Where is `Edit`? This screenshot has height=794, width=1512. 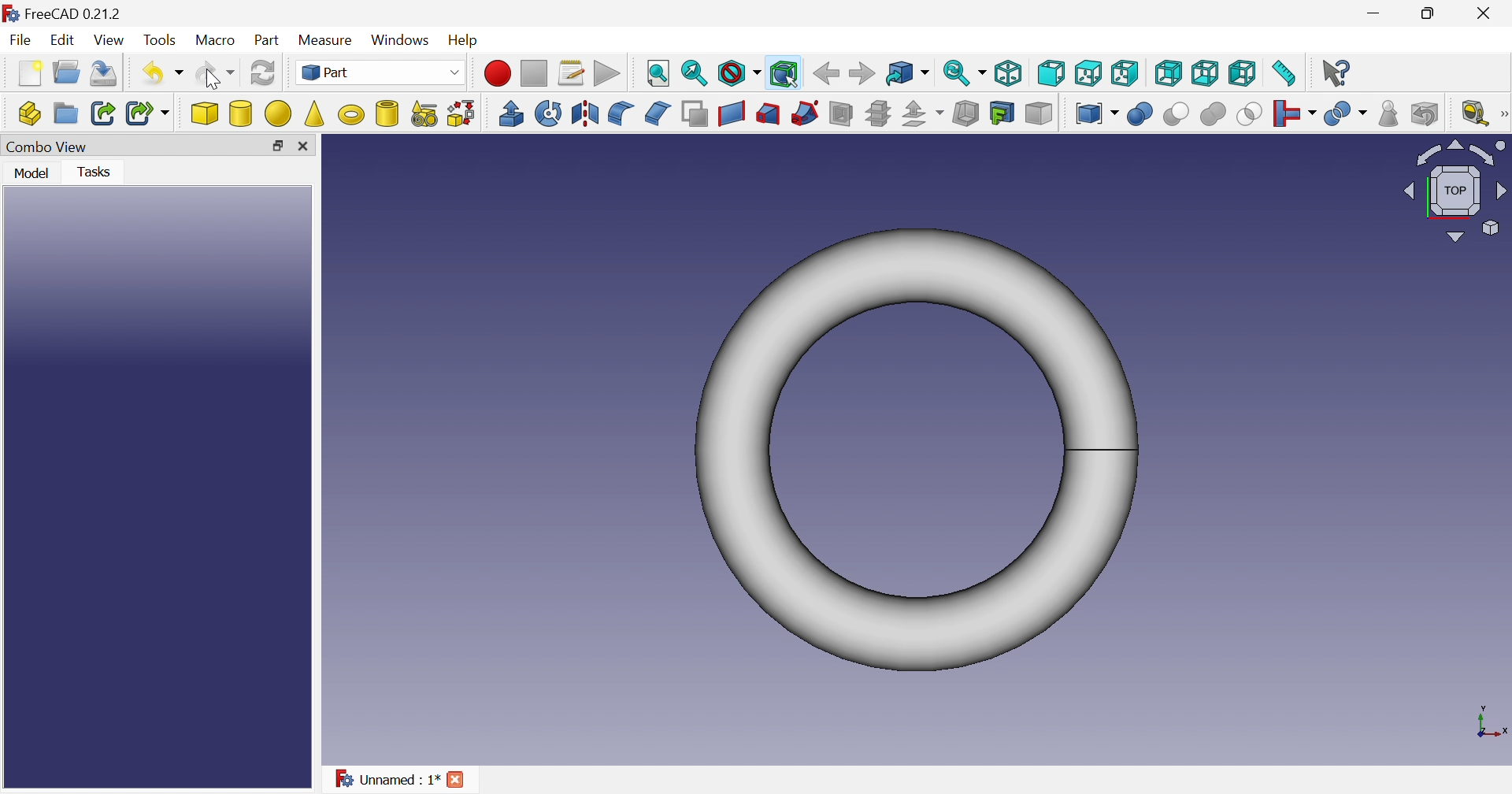
Edit is located at coordinates (61, 41).